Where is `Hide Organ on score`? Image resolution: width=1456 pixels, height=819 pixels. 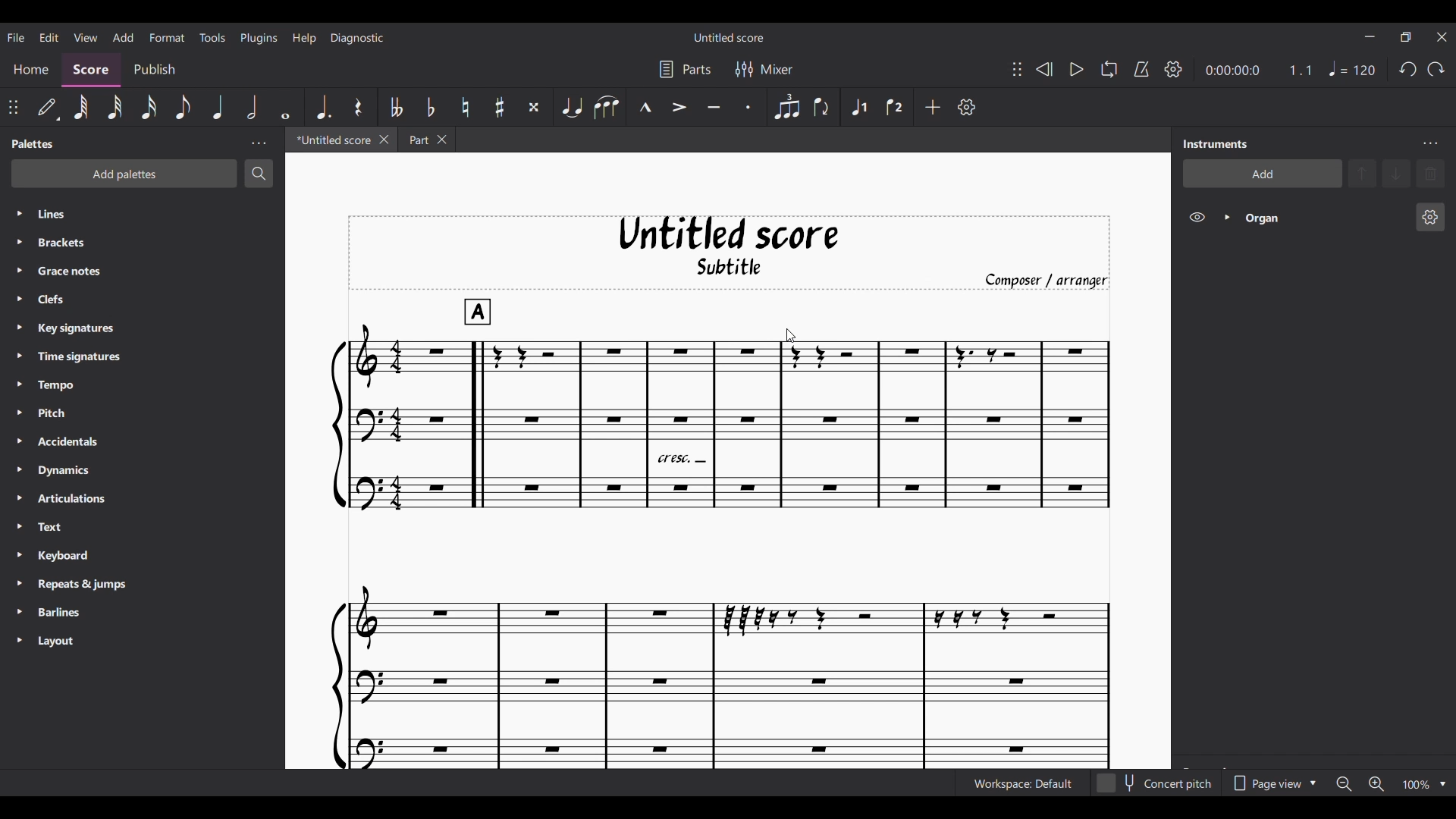 Hide Organ on score is located at coordinates (1197, 217).